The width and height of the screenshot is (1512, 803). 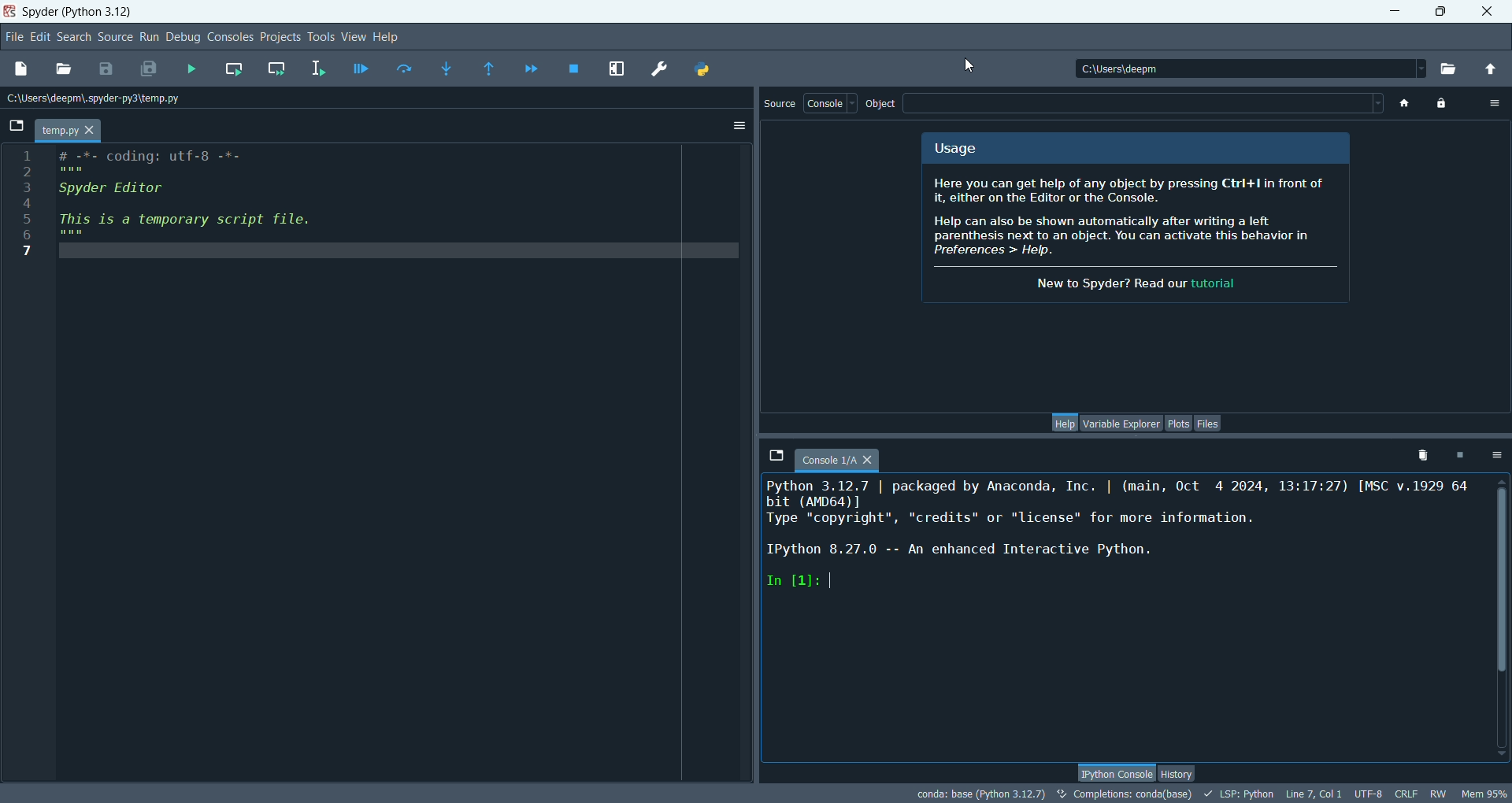 I want to click on remove, so click(x=1419, y=453).